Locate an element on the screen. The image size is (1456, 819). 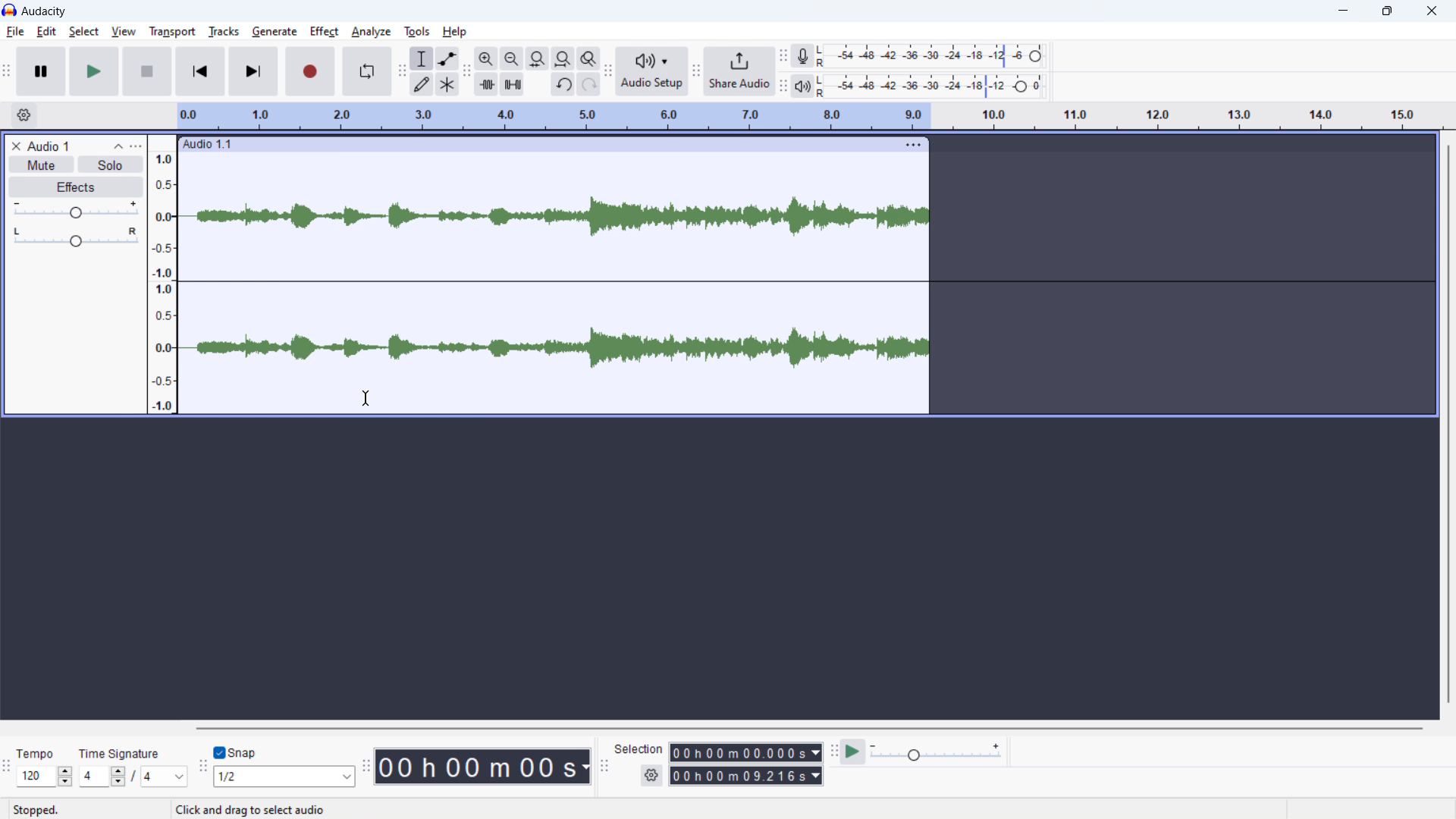
tracks is located at coordinates (224, 32).